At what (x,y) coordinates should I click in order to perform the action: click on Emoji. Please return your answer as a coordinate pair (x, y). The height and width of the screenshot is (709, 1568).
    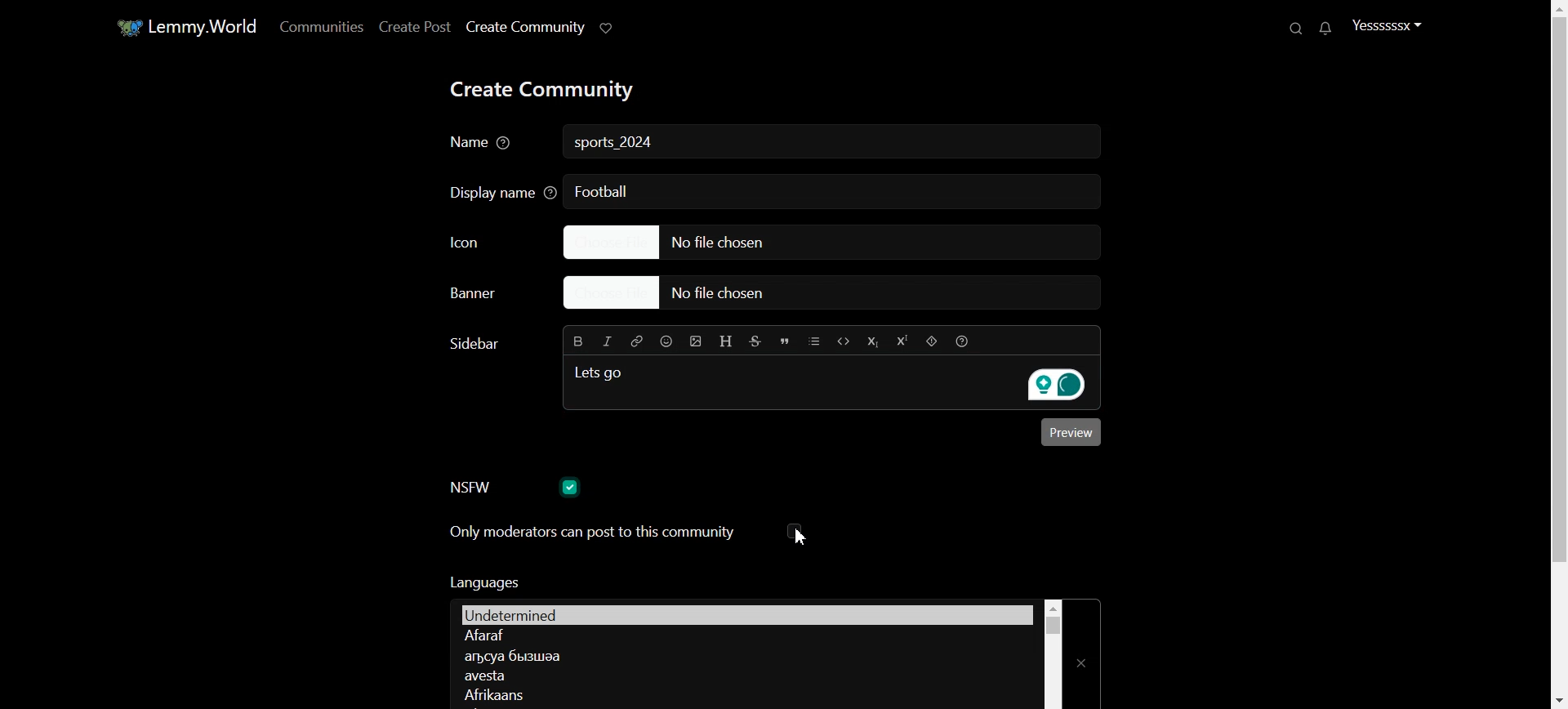
    Looking at the image, I should click on (667, 341).